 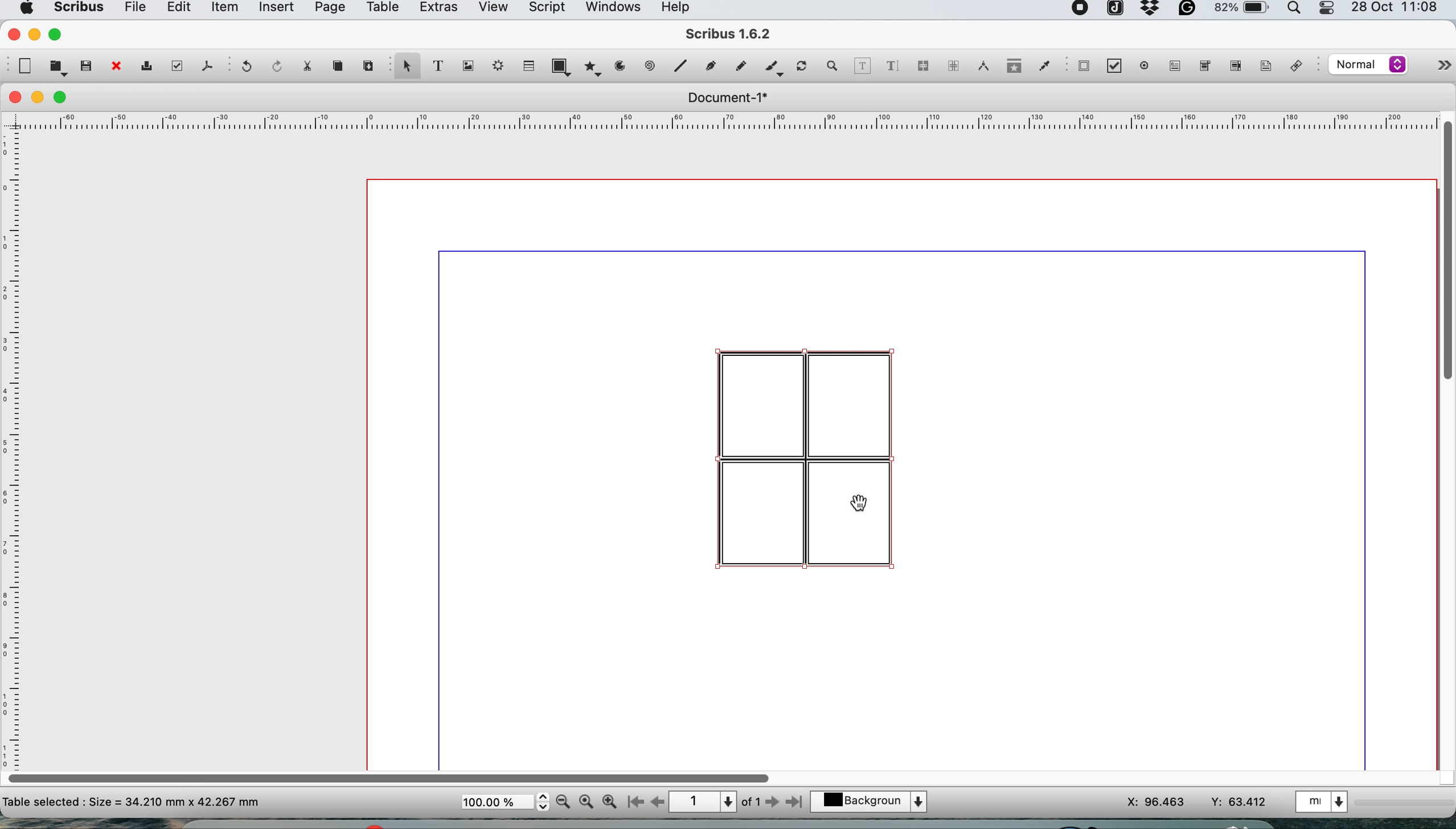 What do you see at coordinates (1328, 9) in the screenshot?
I see `control center` at bounding box center [1328, 9].